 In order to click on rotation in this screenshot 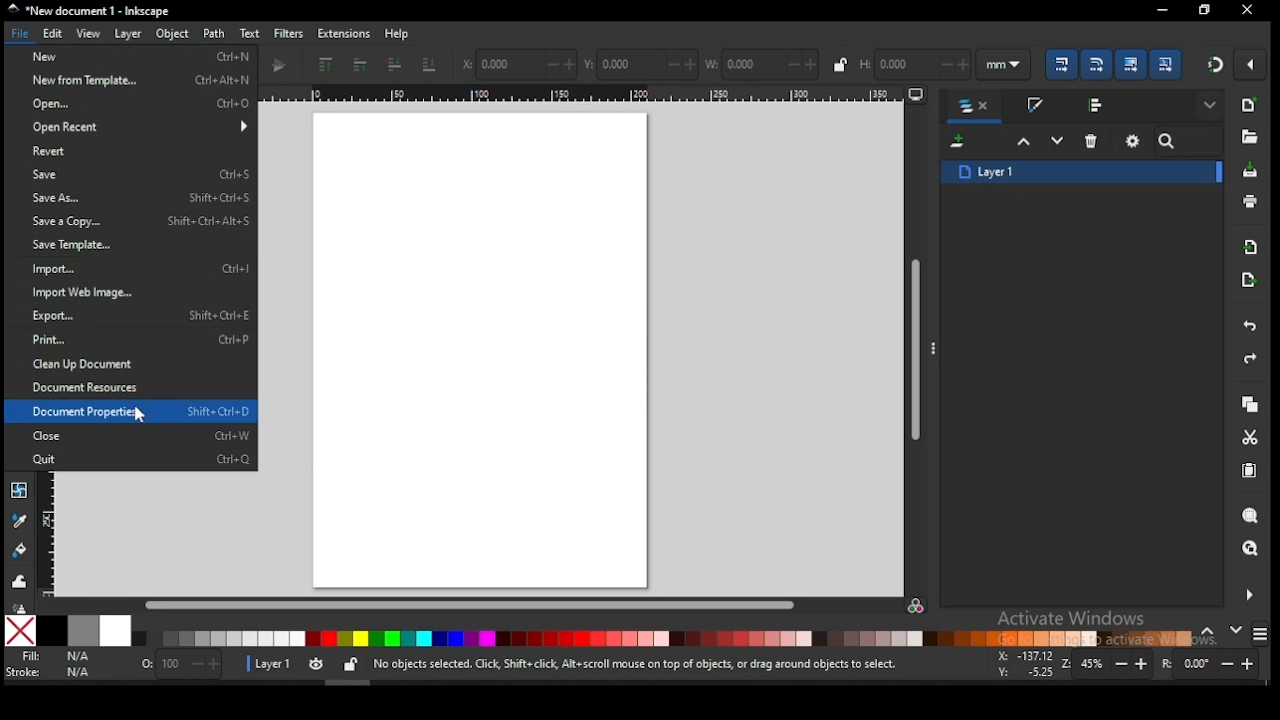, I will do `click(1214, 664)`.